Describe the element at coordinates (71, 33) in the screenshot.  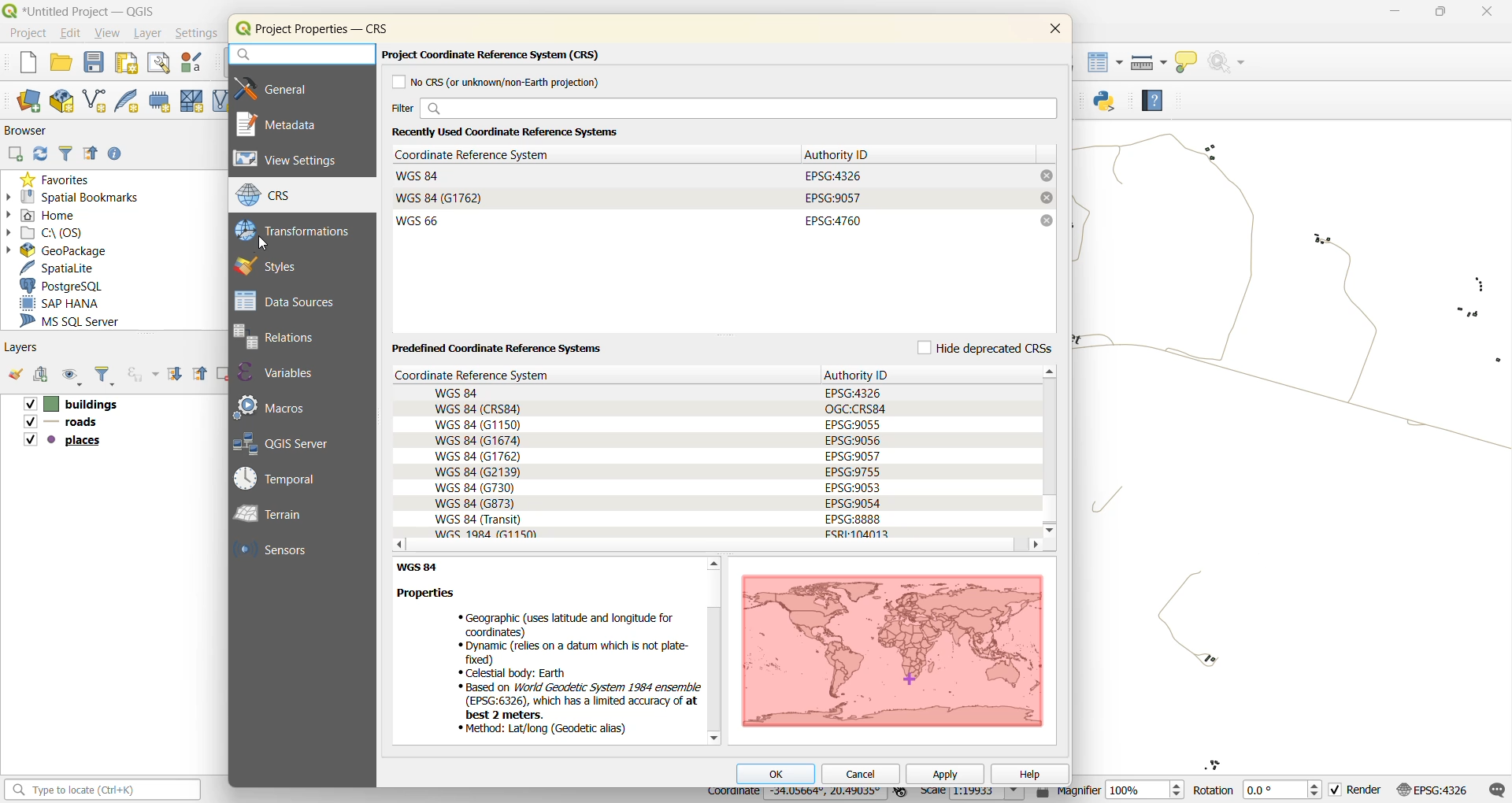
I see `edit` at that location.